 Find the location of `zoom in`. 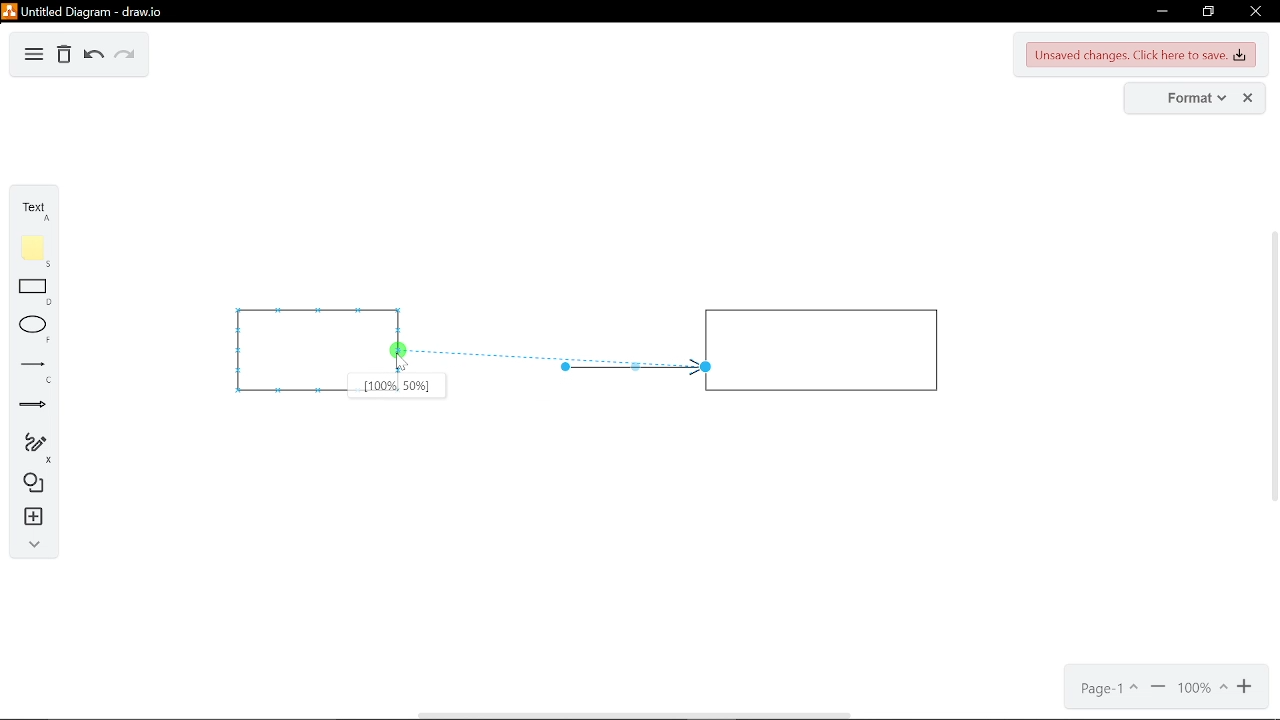

zoom in is located at coordinates (1244, 690).